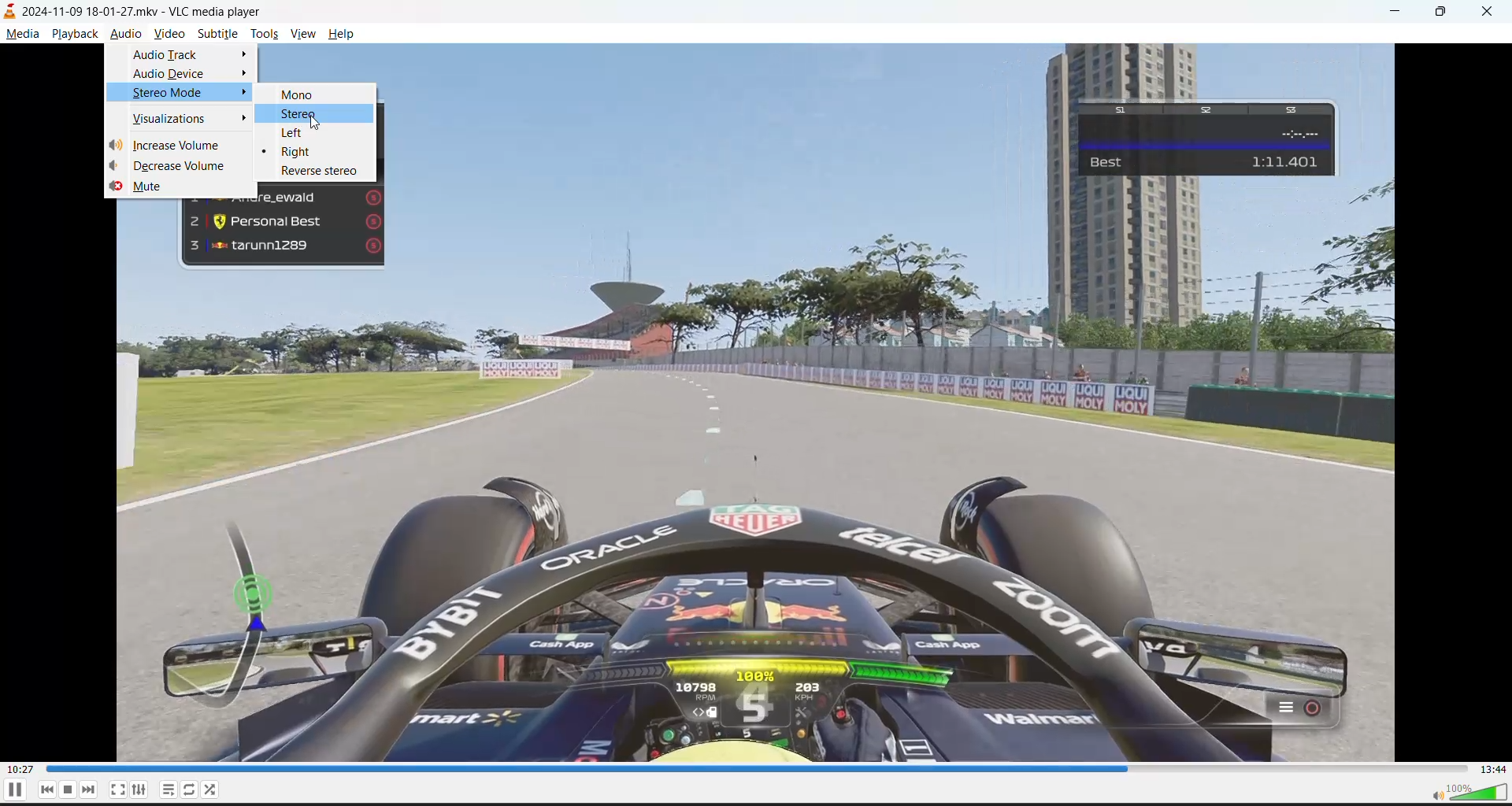  Describe the element at coordinates (343, 33) in the screenshot. I see `help` at that location.